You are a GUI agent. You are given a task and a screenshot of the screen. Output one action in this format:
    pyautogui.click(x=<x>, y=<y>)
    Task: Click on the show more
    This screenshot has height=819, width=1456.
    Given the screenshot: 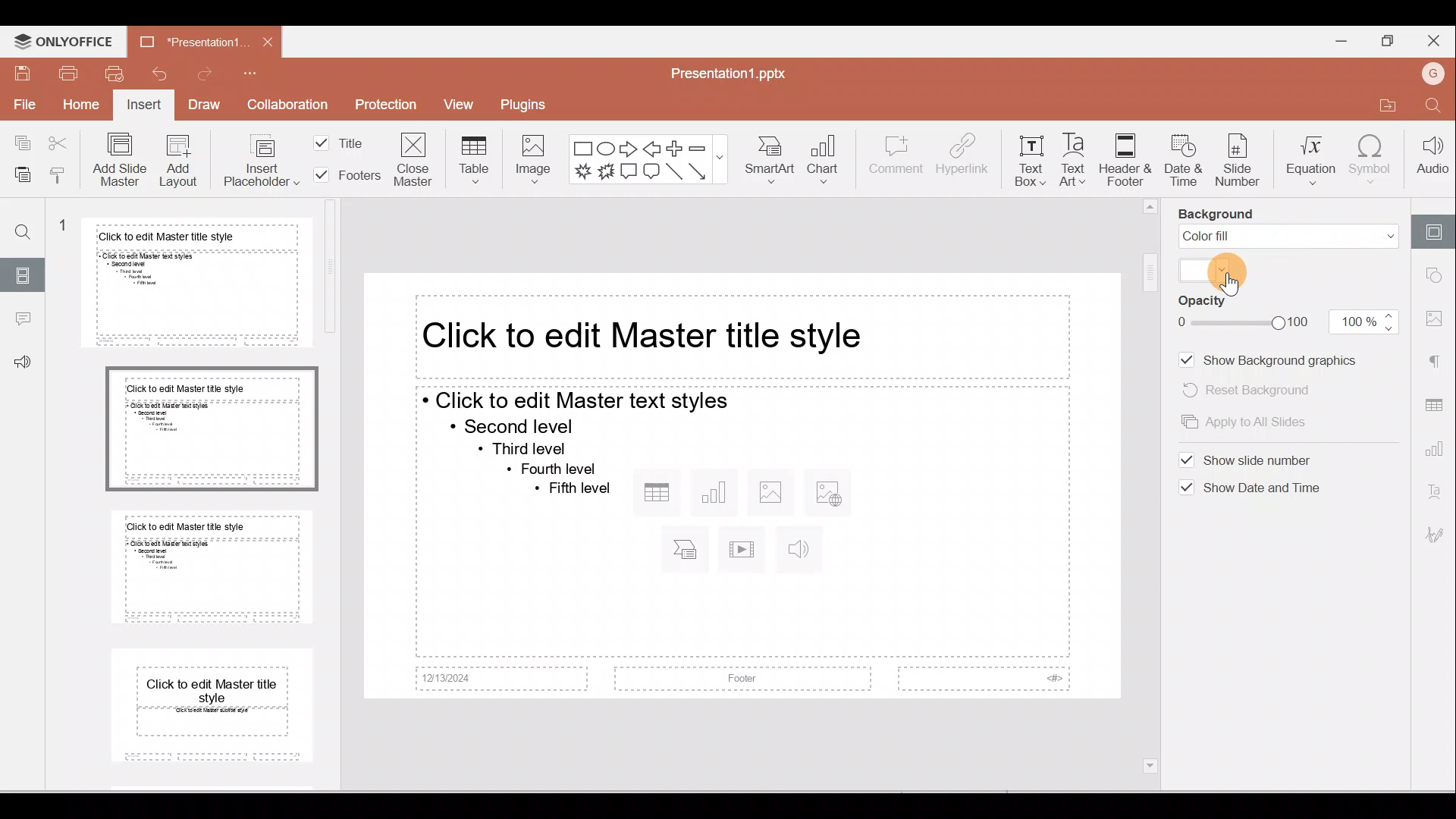 What is the action you would take?
    pyautogui.click(x=721, y=155)
    